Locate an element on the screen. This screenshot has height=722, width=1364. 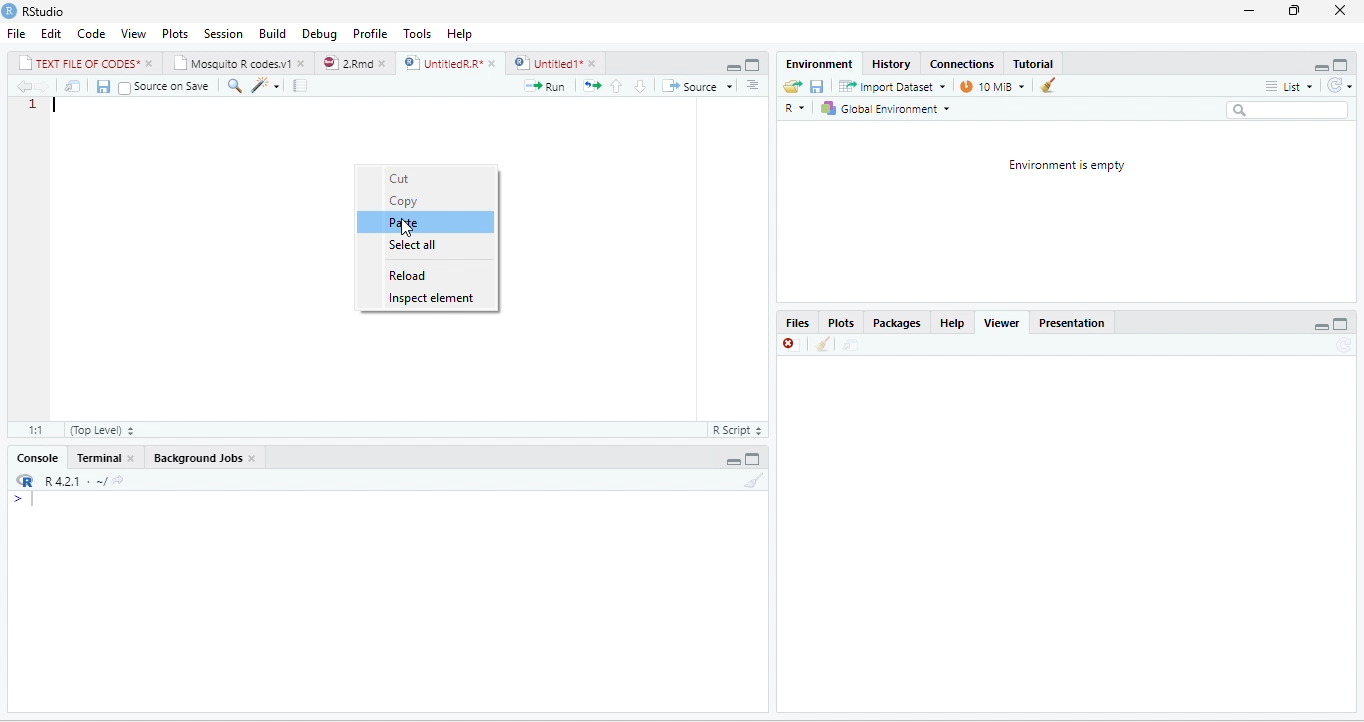
2Rmd is located at coordinates (346, 63).